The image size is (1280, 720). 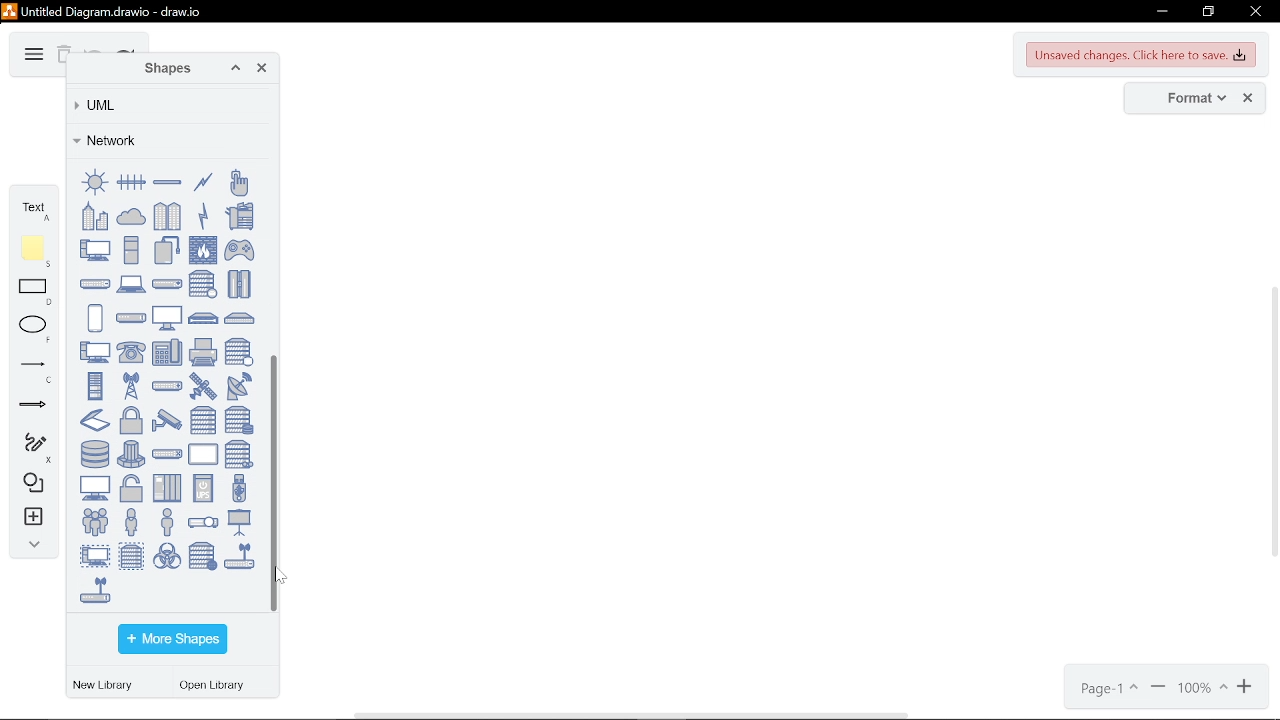 I want to click on undo, so click(x=94, y=49).